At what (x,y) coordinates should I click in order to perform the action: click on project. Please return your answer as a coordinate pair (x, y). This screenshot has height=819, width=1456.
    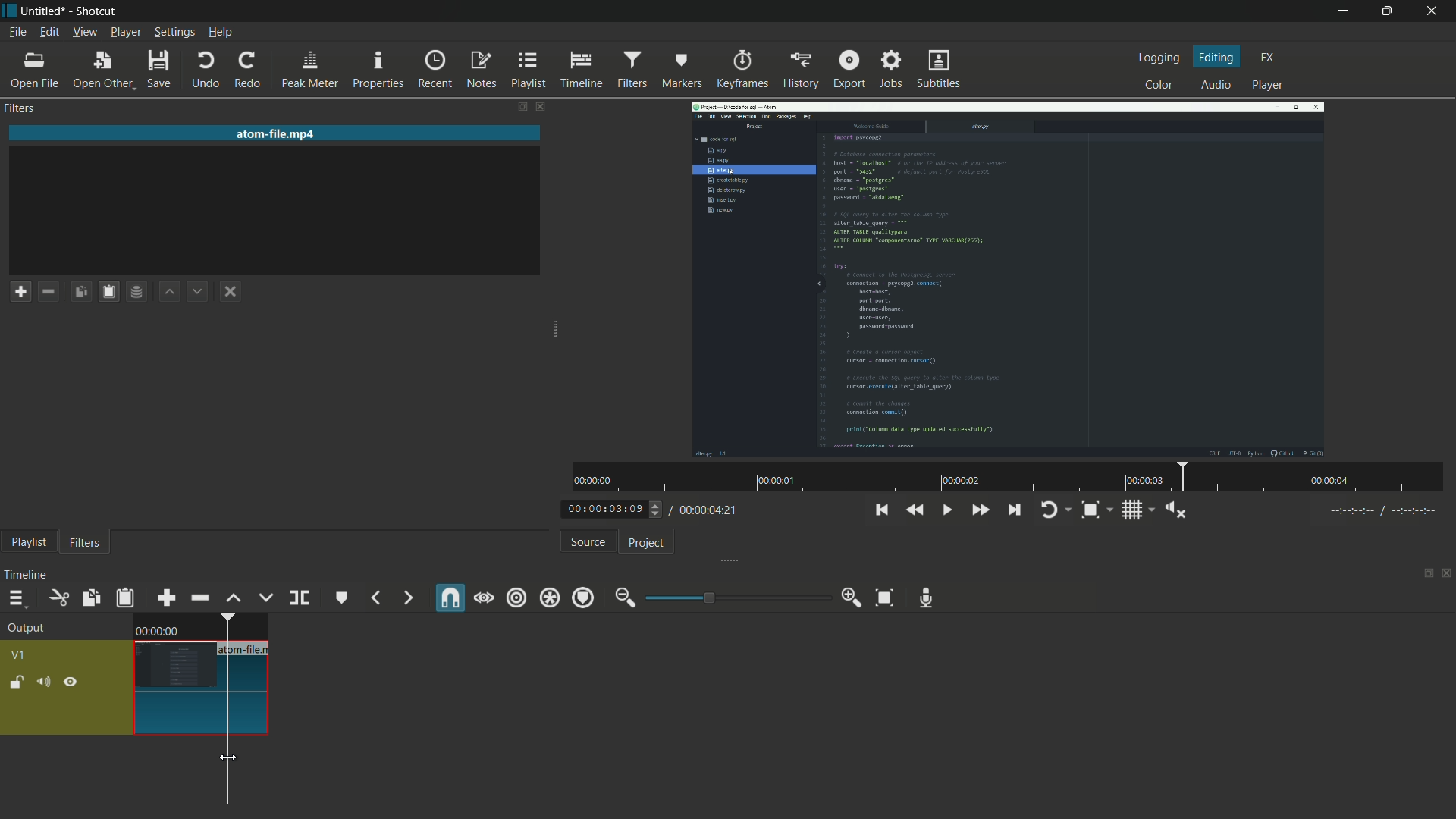
    Looking at the image, I should click on (645, 544).